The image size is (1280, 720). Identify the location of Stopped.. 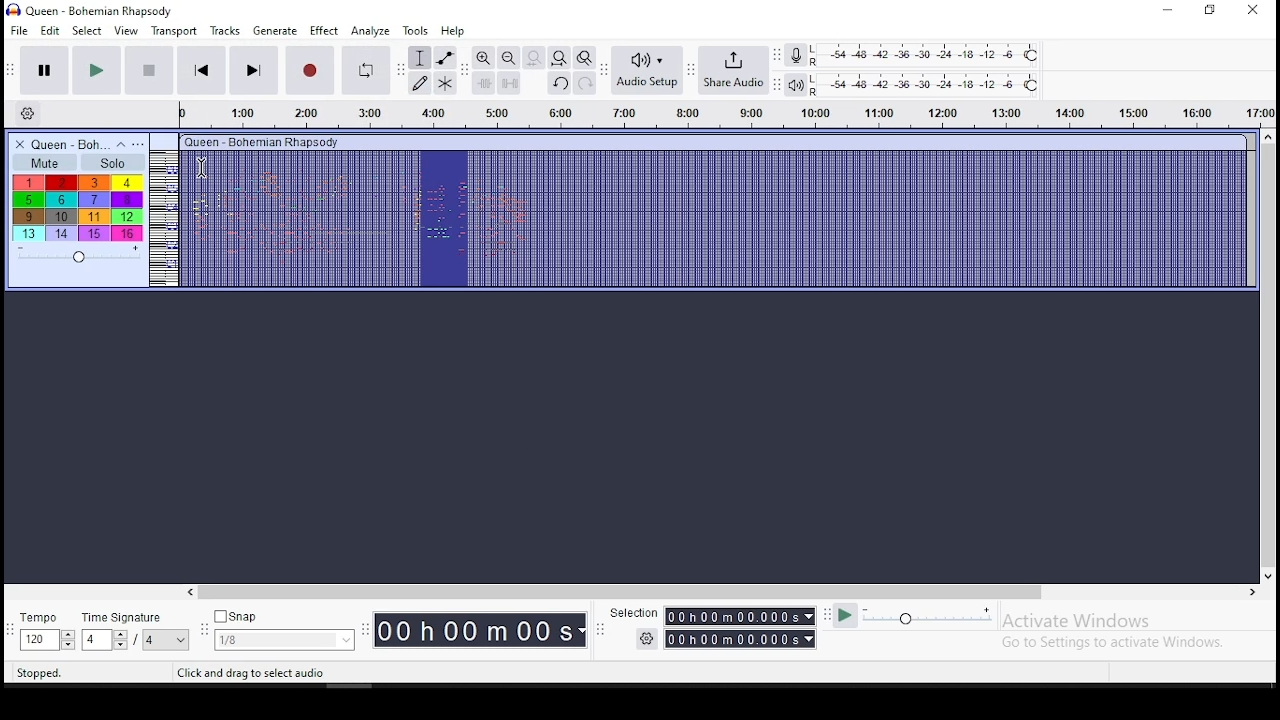
(38, 672).